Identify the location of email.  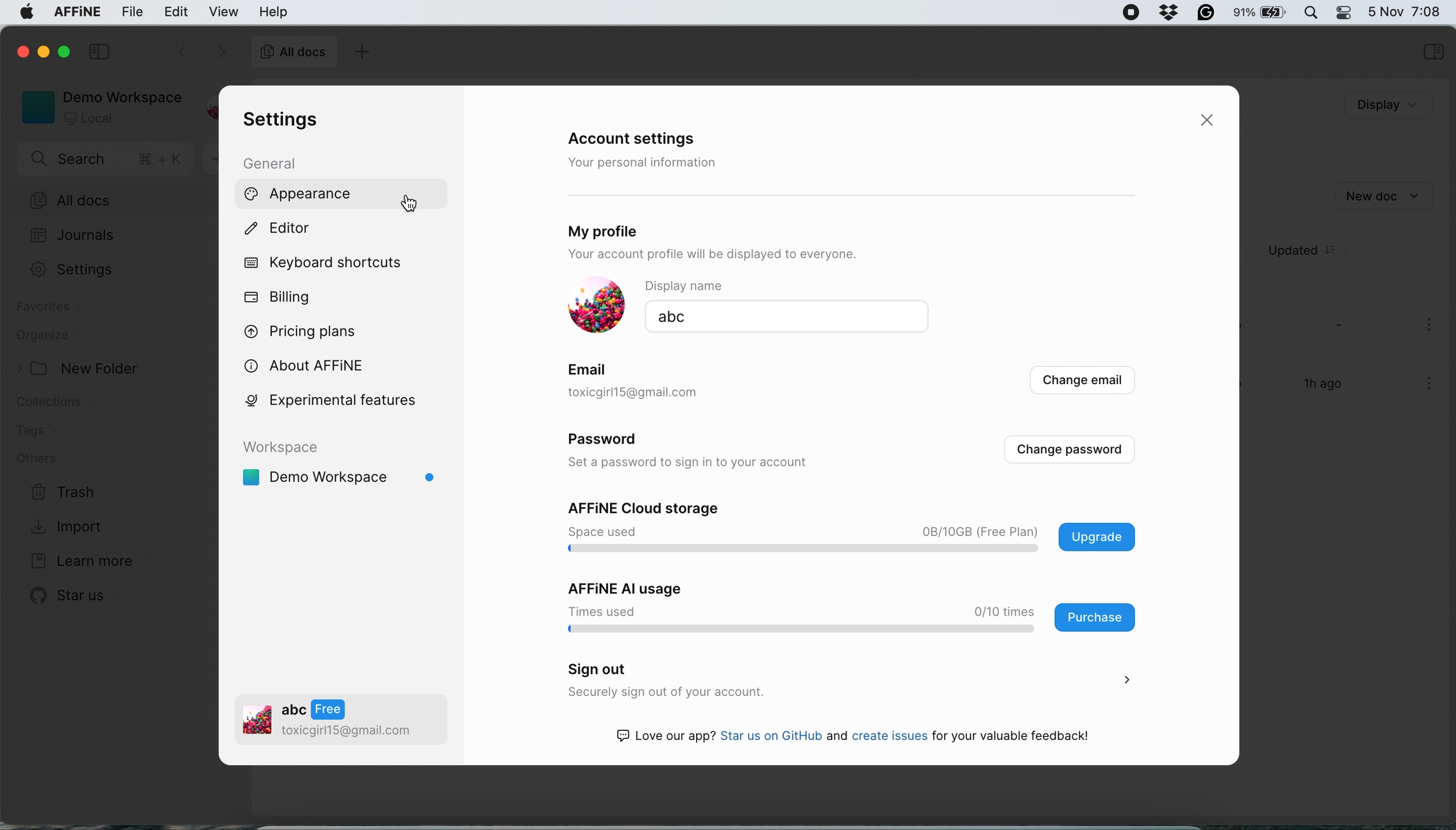
(595, 371).